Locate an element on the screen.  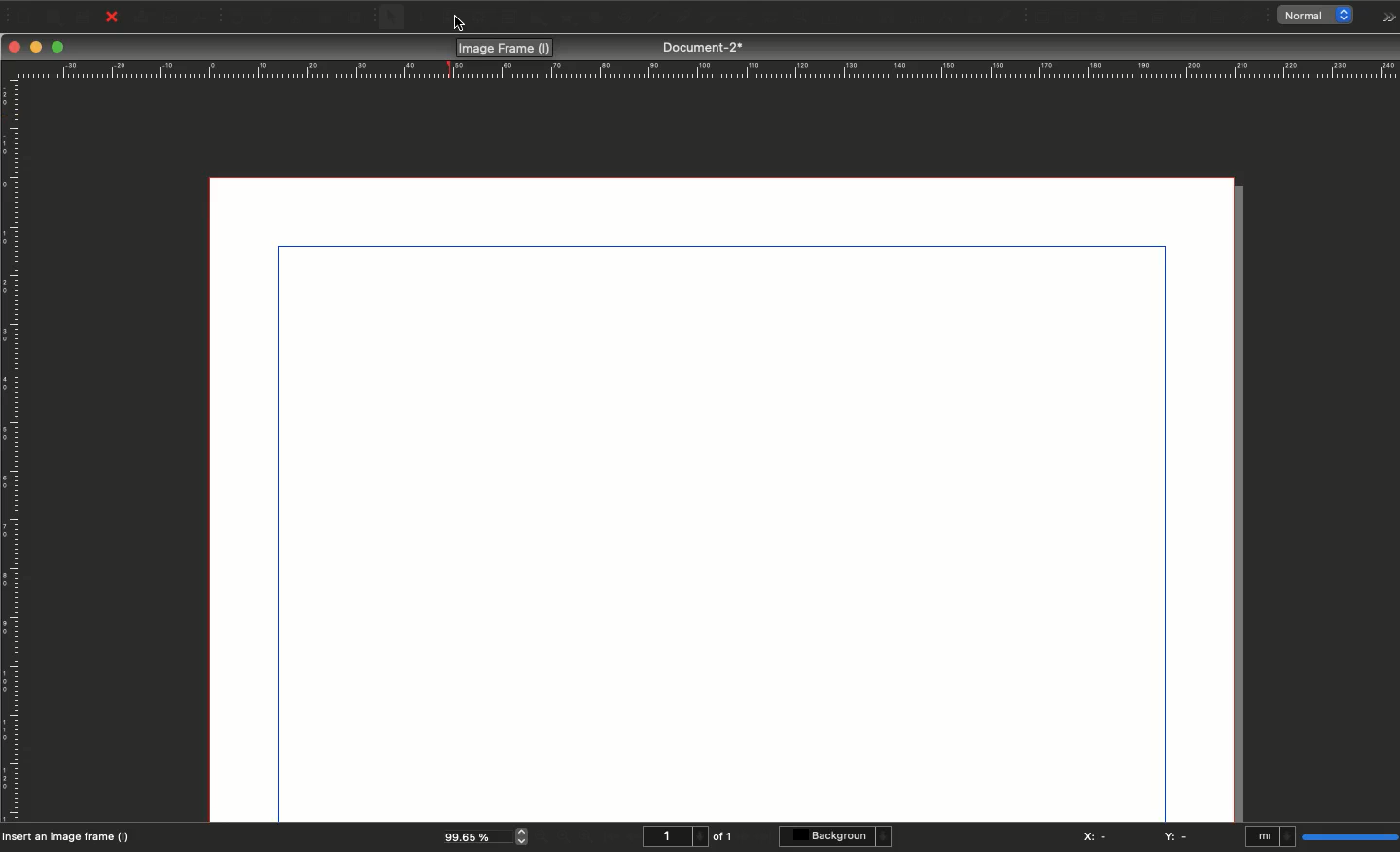
Options is located at coordinates (1384, 18).